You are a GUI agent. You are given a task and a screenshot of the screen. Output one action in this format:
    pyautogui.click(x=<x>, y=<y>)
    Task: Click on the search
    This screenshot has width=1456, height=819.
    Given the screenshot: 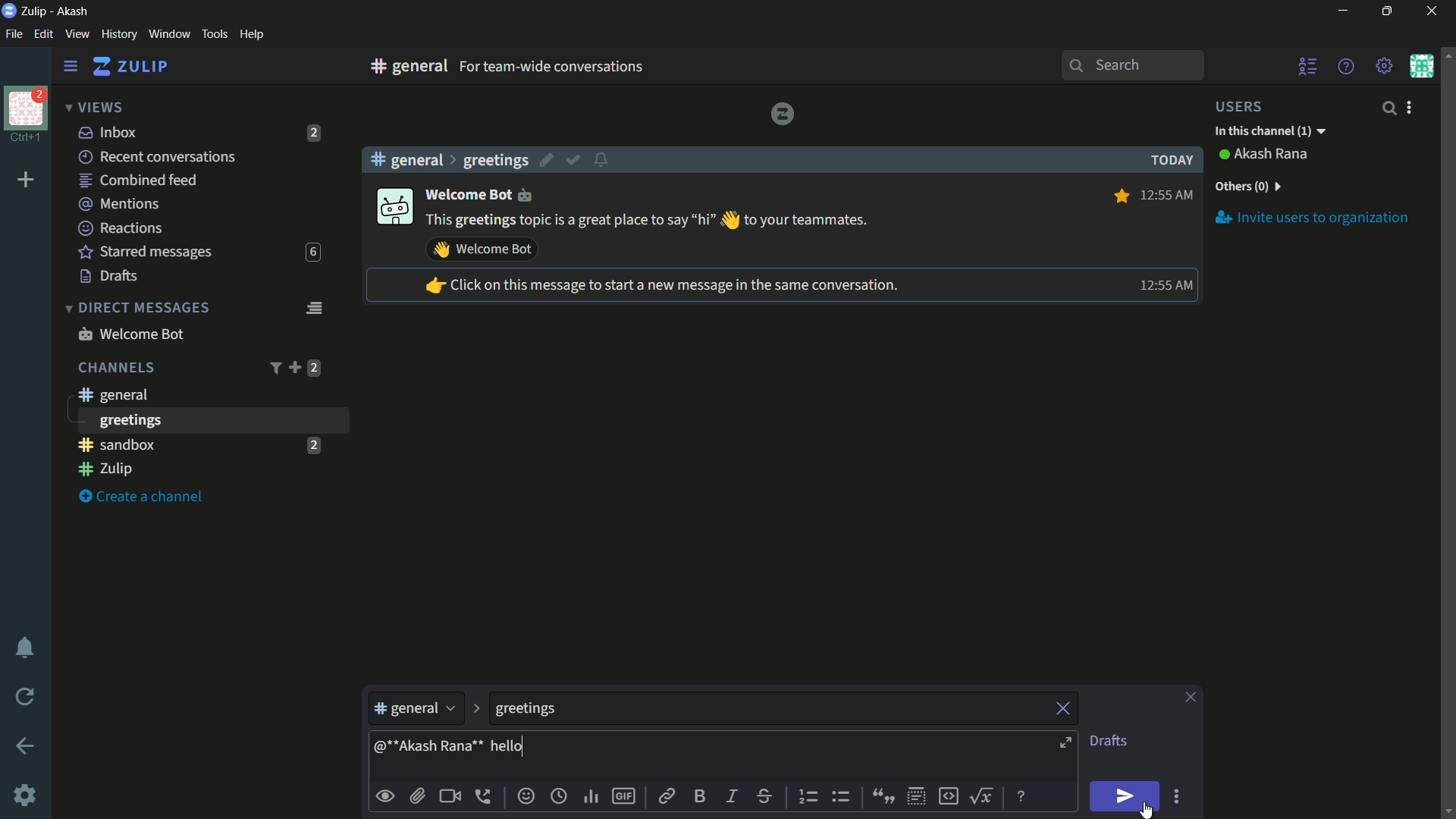 What is the action you would take?
    pyautogui.click(x=1388, y=108)
    